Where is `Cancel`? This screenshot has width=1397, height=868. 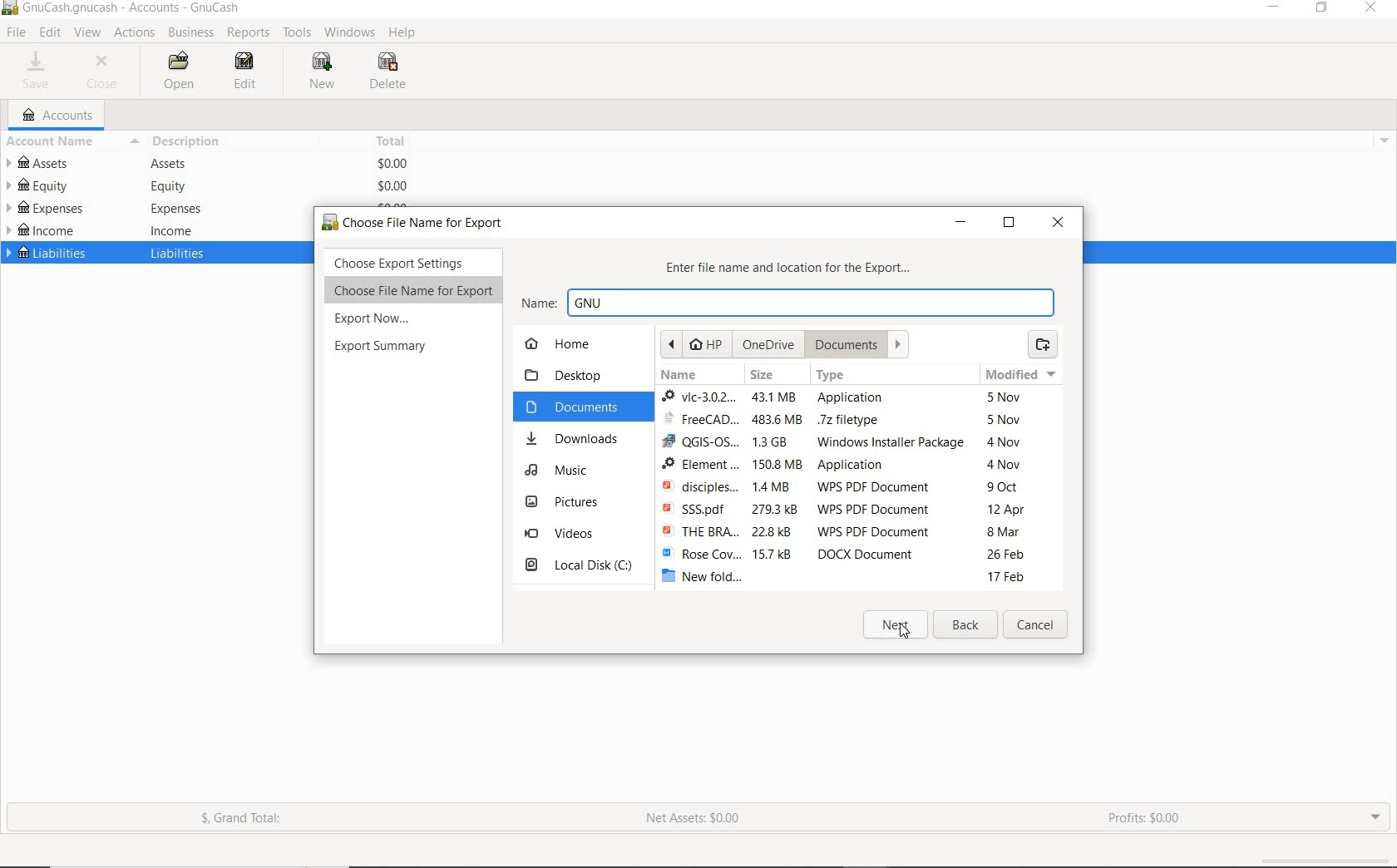
Cancel is located at coordinates (1037, 624).